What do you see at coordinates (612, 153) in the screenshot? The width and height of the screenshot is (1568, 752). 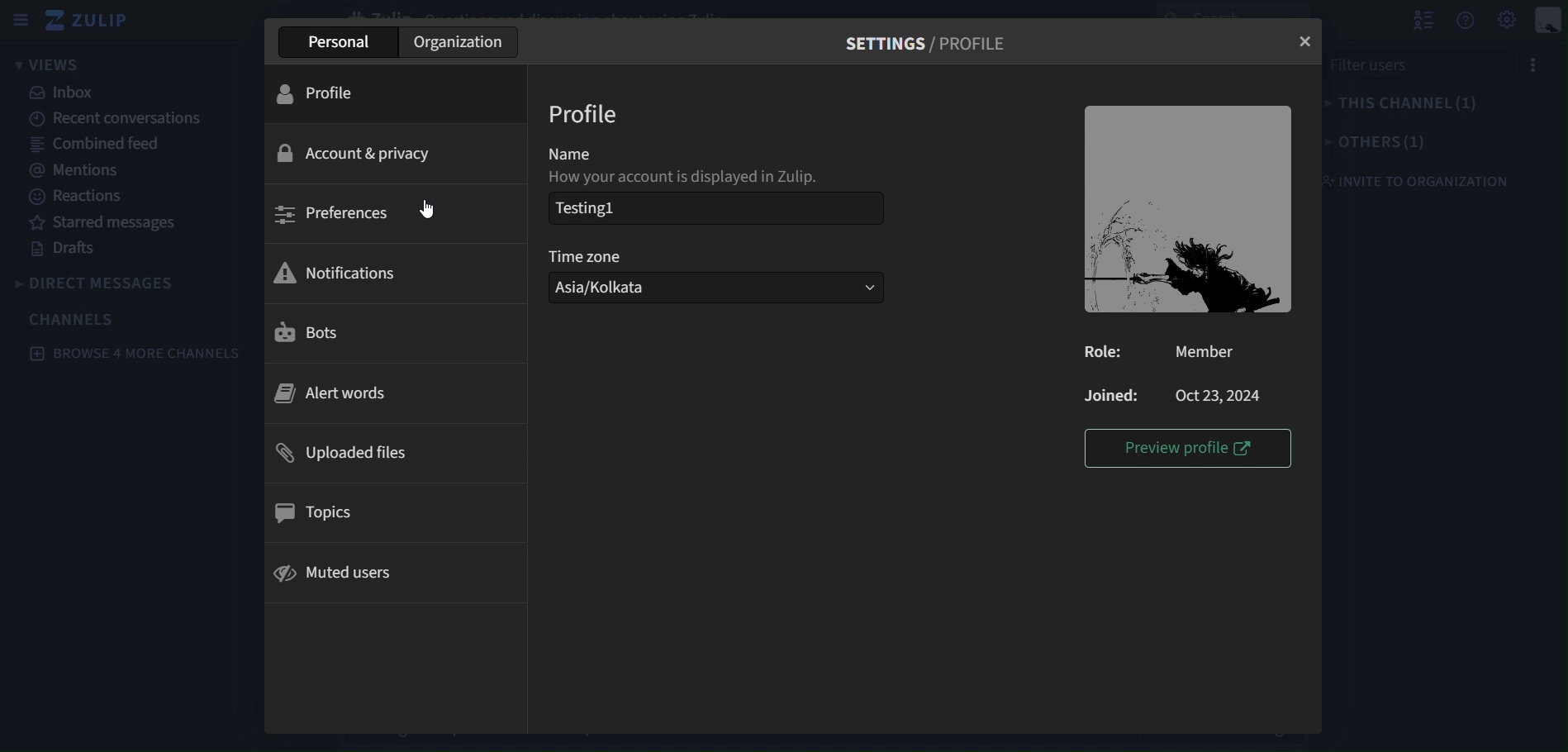 I see `name` at bounding box center [612, 153].